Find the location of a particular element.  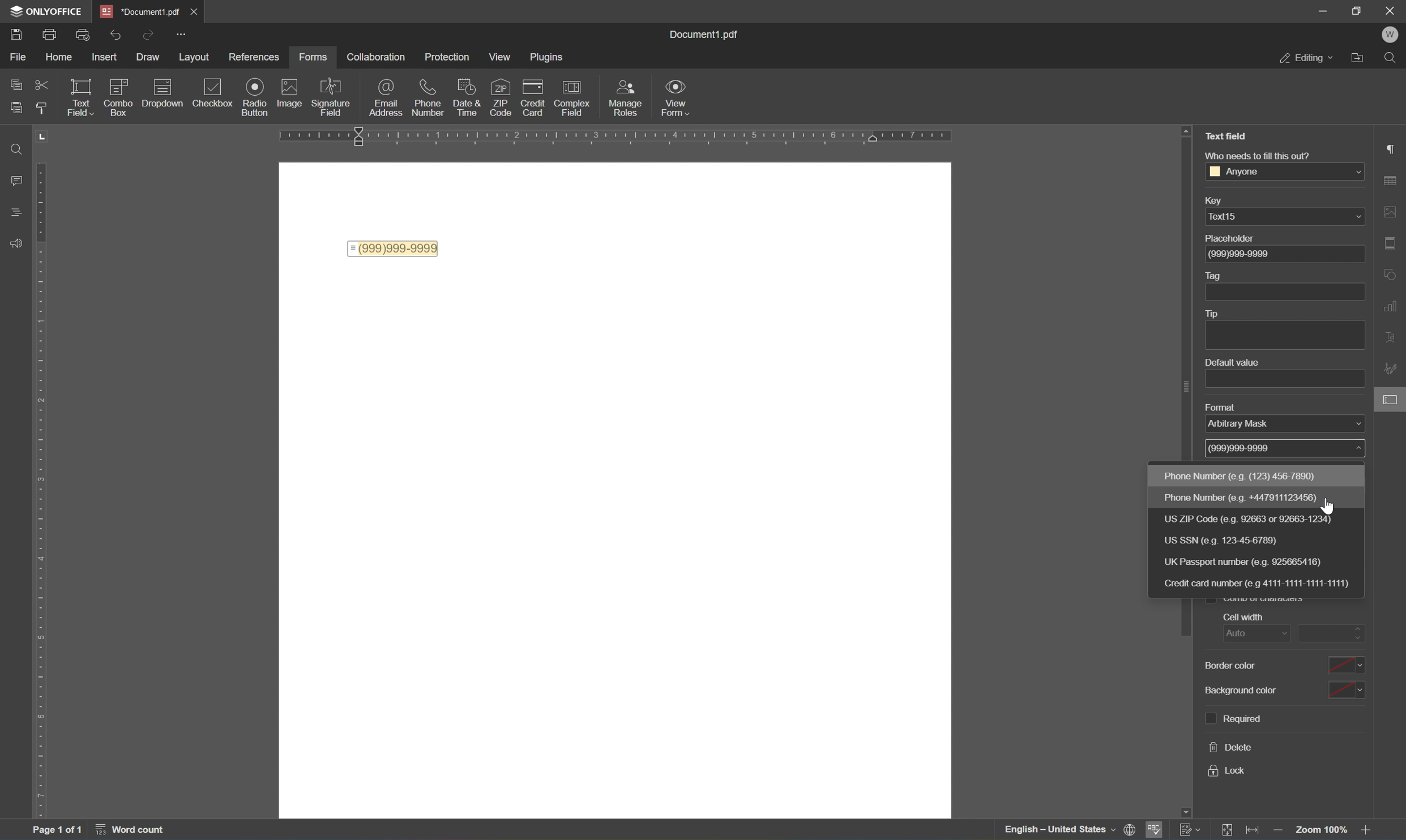

zoom 100% is located at coordinates (1323, 832).